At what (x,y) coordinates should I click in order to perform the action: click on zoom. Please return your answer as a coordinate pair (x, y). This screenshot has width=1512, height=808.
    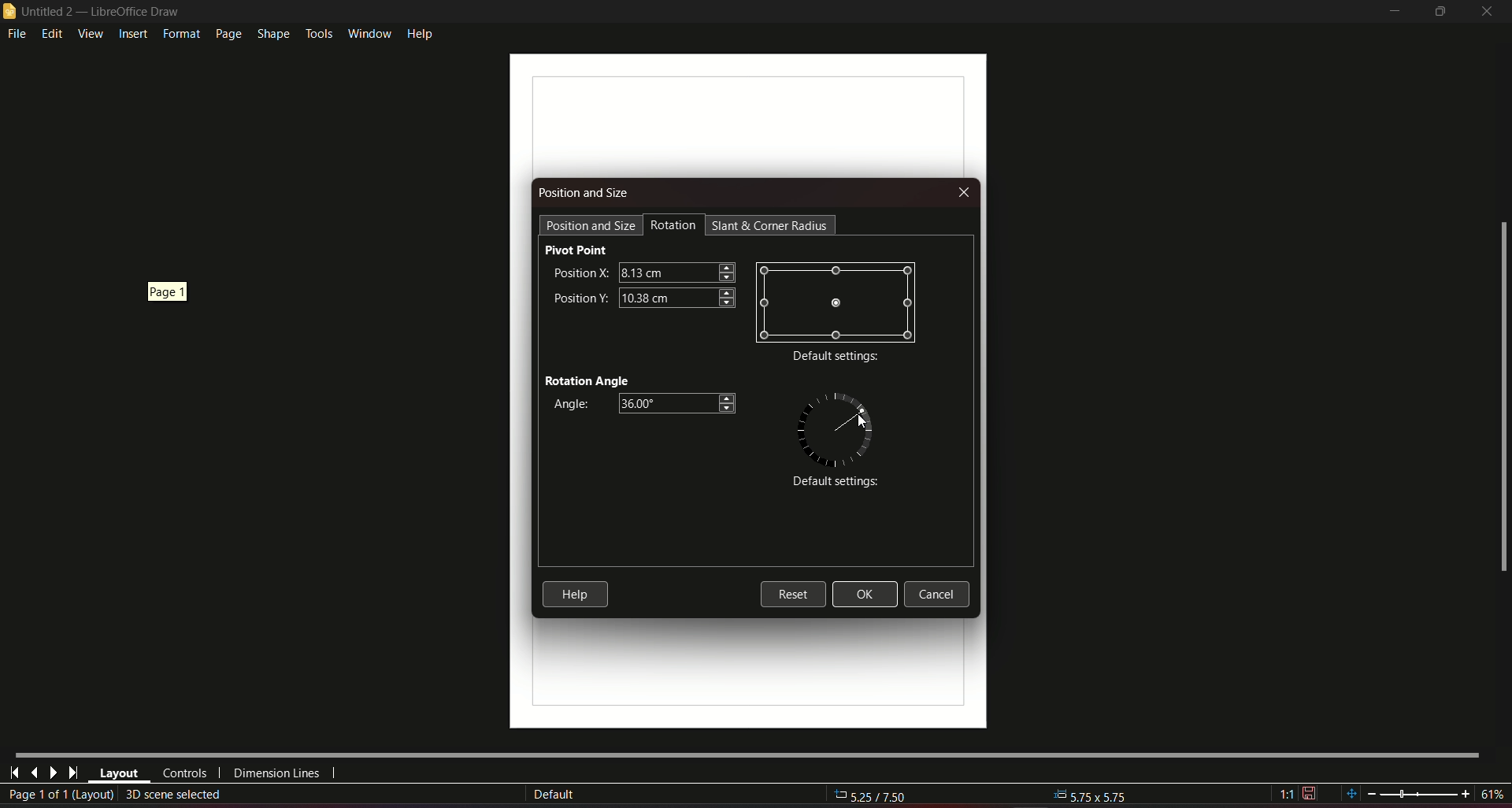
    Looking at the image, I should click on (1423, 792).